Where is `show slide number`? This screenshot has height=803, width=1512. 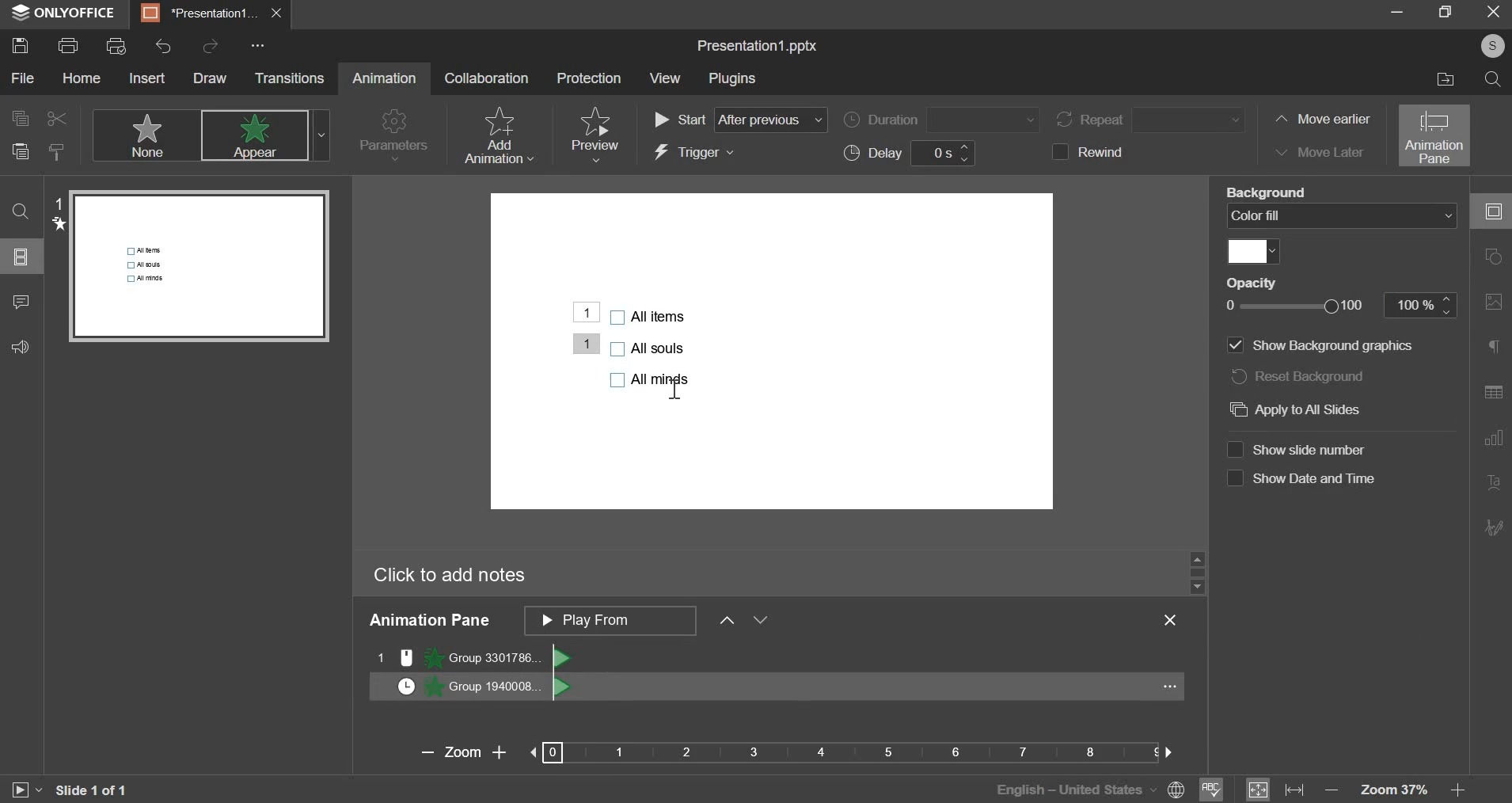 show slide number is located at coordinates (1297, 450).